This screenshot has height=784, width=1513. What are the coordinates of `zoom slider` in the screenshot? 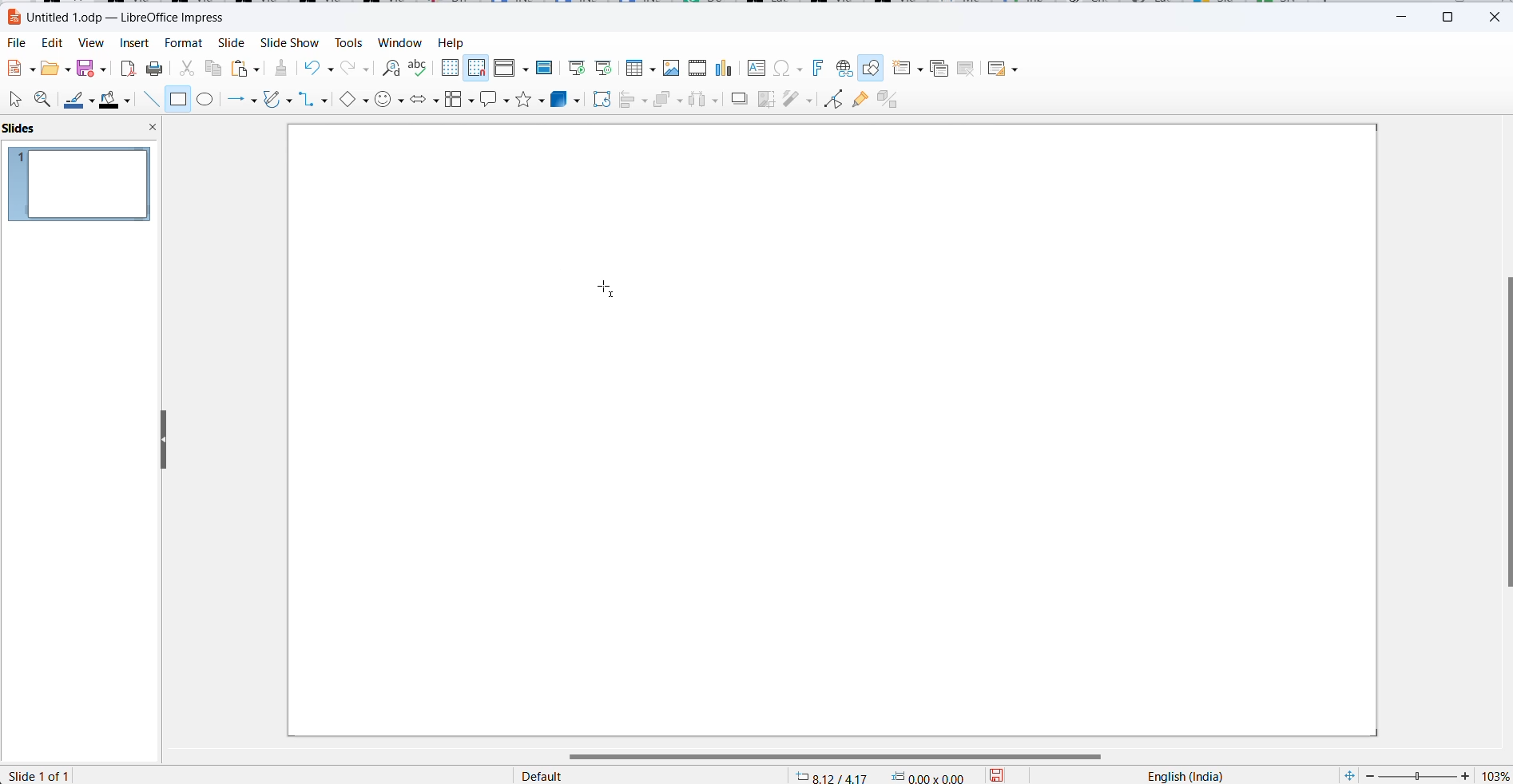 It's located at (1417, 775).